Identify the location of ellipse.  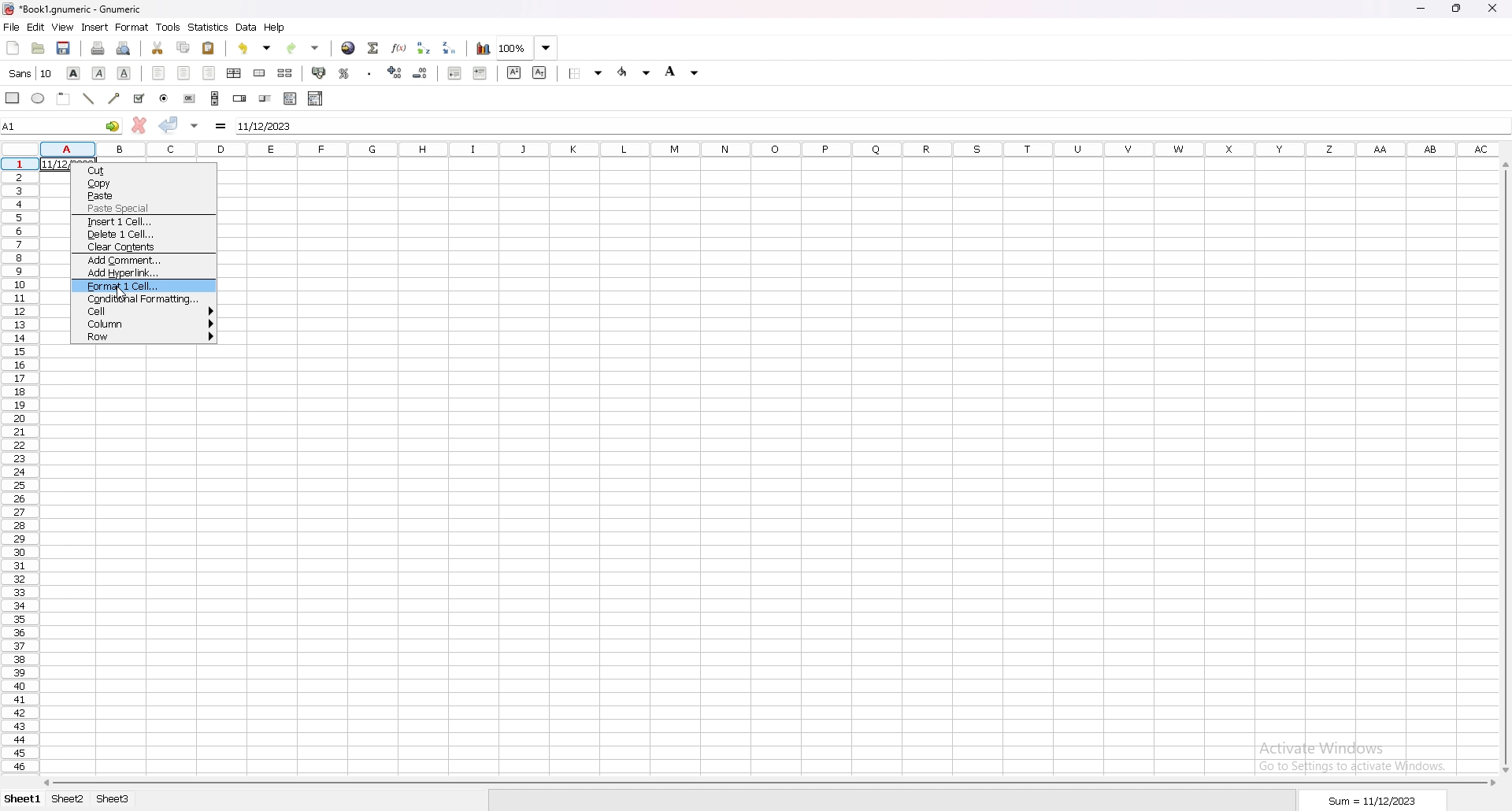
(38, 98).